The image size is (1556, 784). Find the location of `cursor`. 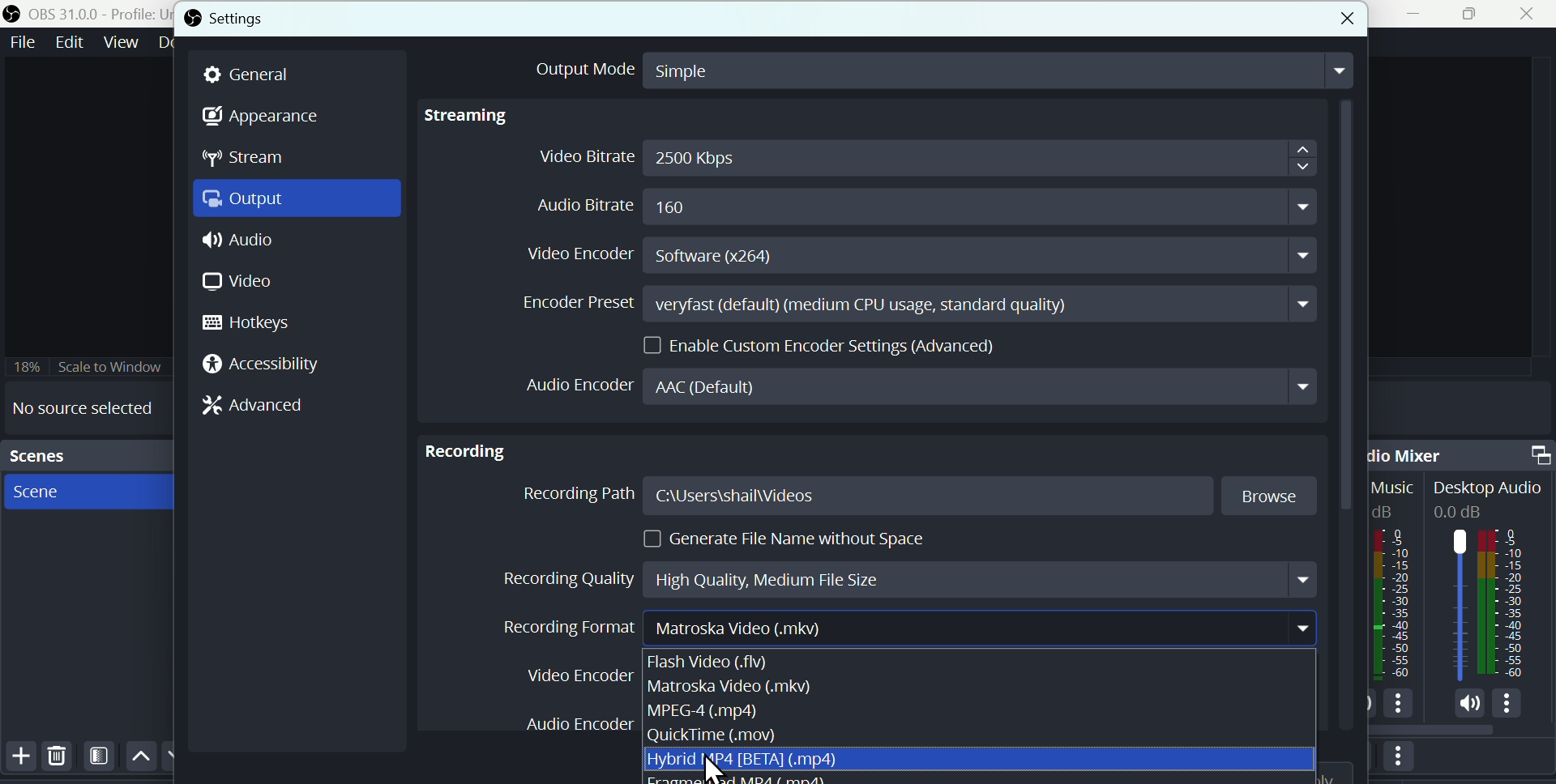

cursor is located at coordinates (714, 769).